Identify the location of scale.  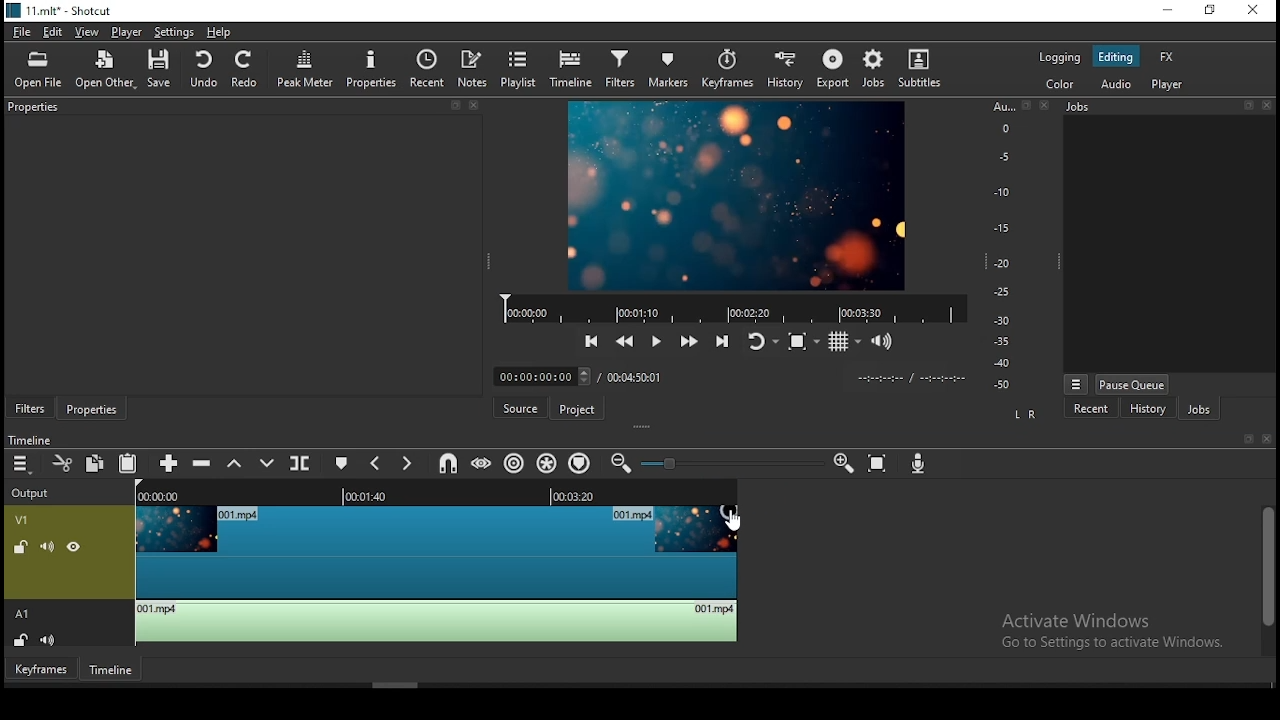
(1003, 248).